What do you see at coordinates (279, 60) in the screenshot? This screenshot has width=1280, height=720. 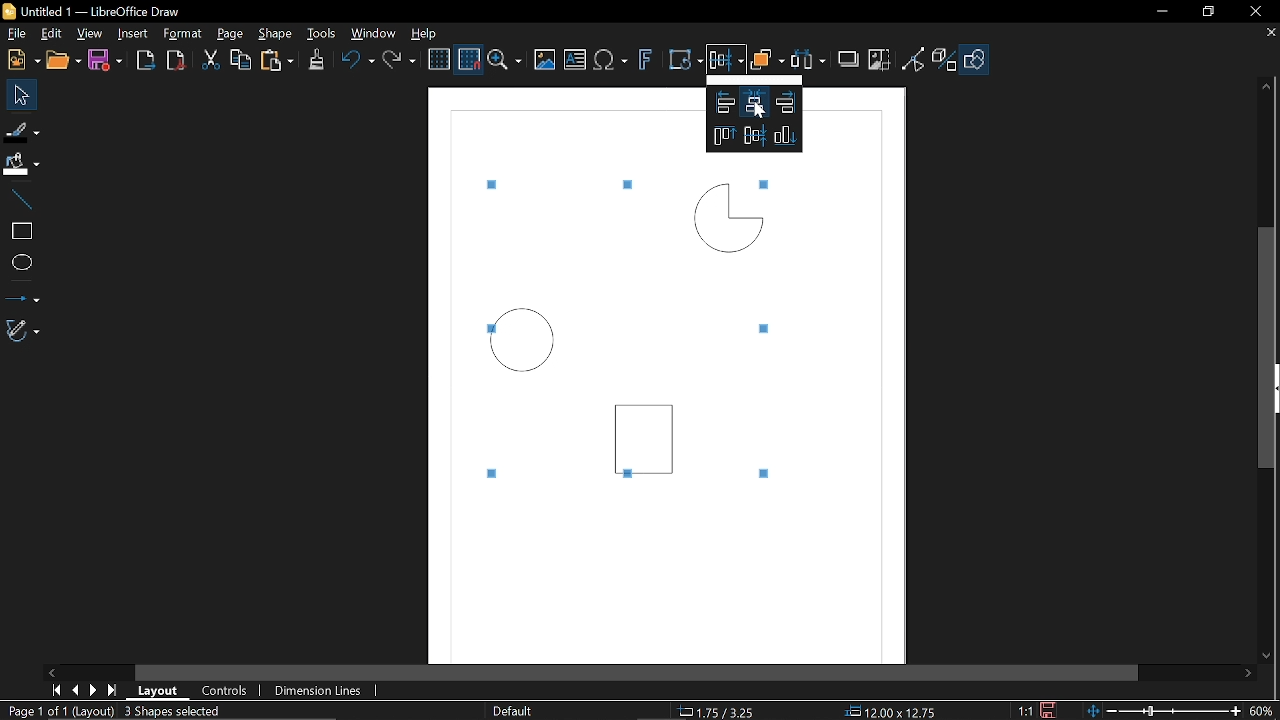 I see `paste` at bounding box center [279, 60].